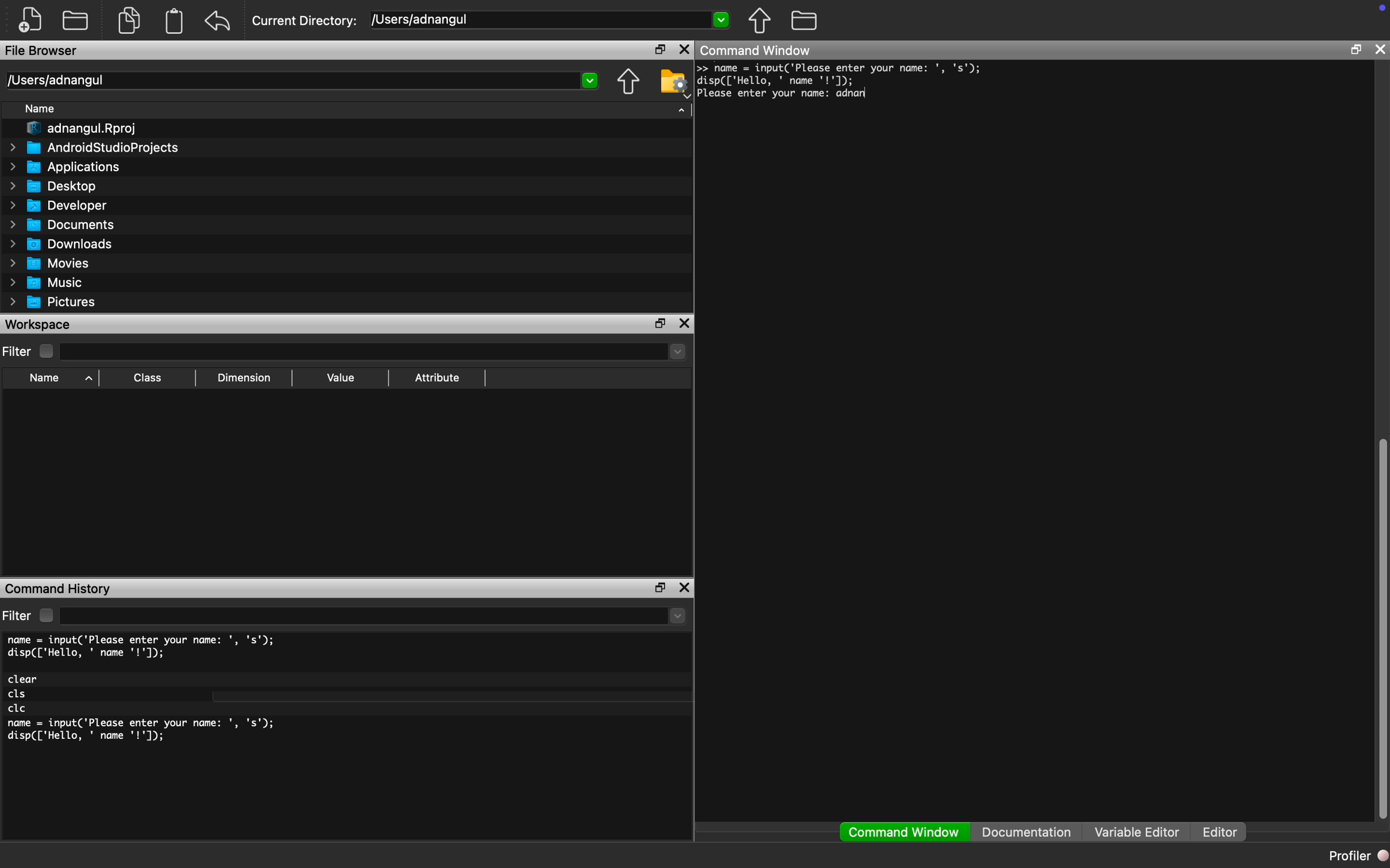 The image size is (1390, 868). I want to click on Collapse, so click(682, 110).